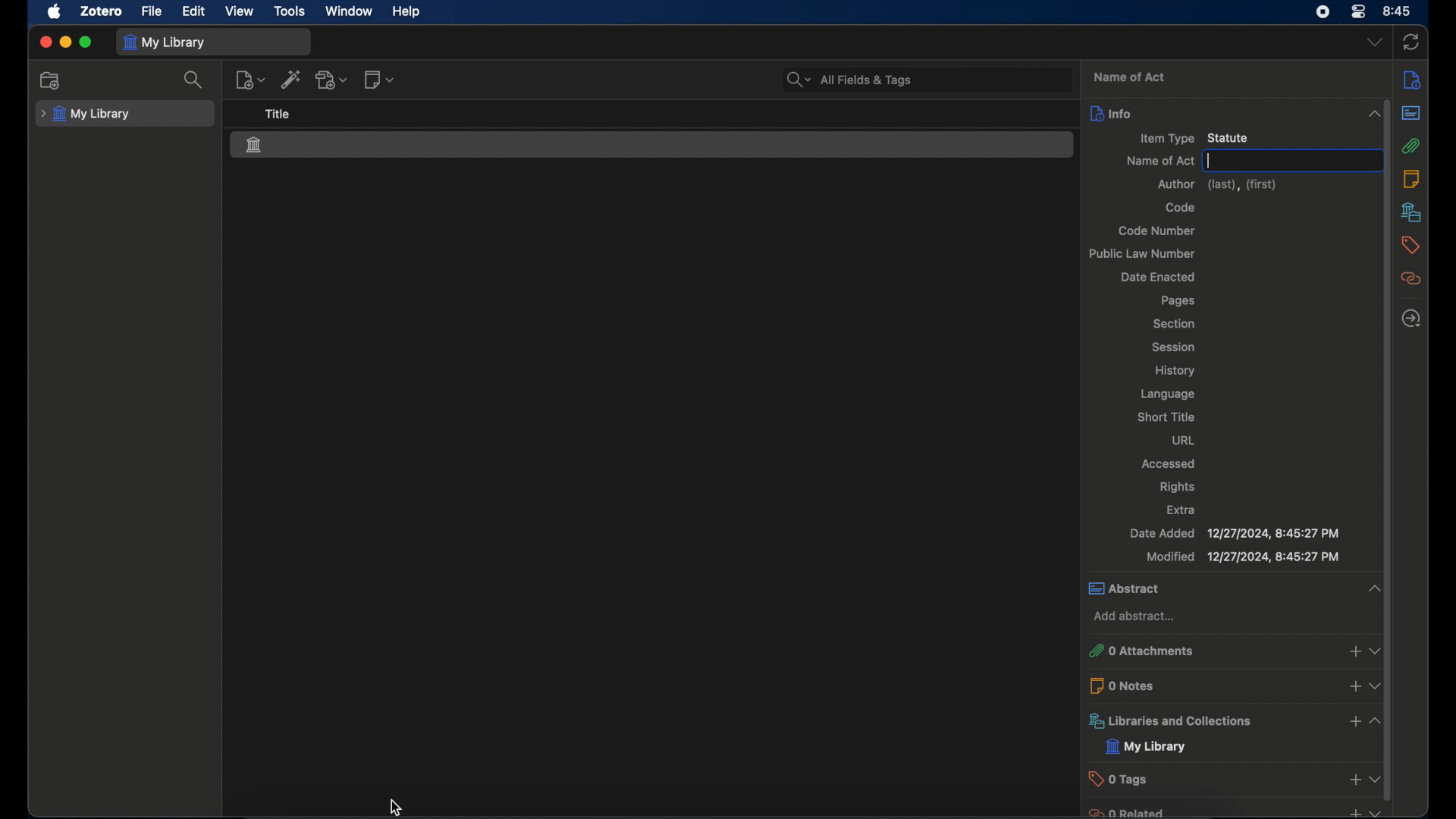  Describe the element at coordinates (1353, 812) in the screenshot. I see `add related` at that location.